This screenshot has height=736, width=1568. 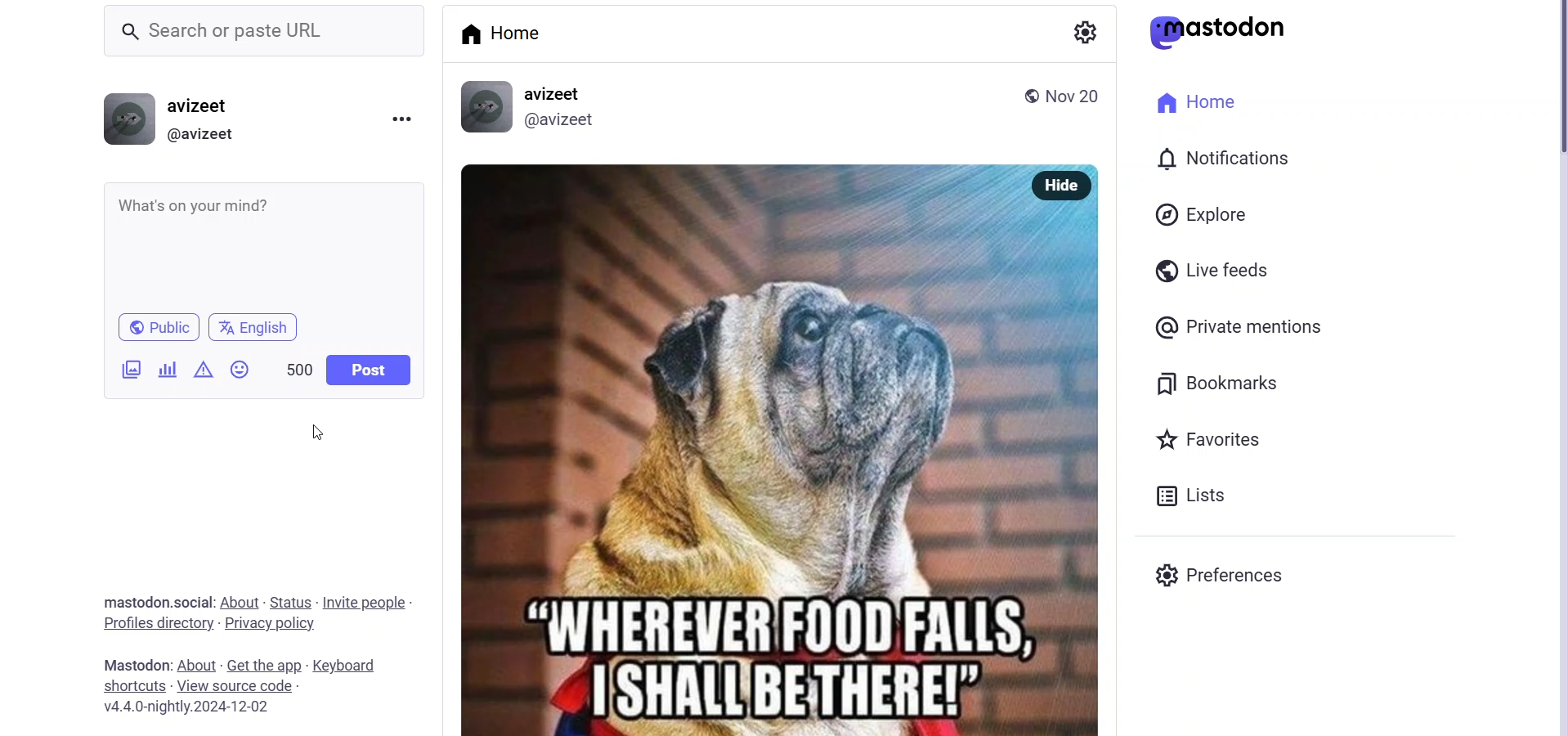 What do you see at coordinates (264, 245) in the screenshot?
I see `whats on your mind` at bounding box center [264, 245].